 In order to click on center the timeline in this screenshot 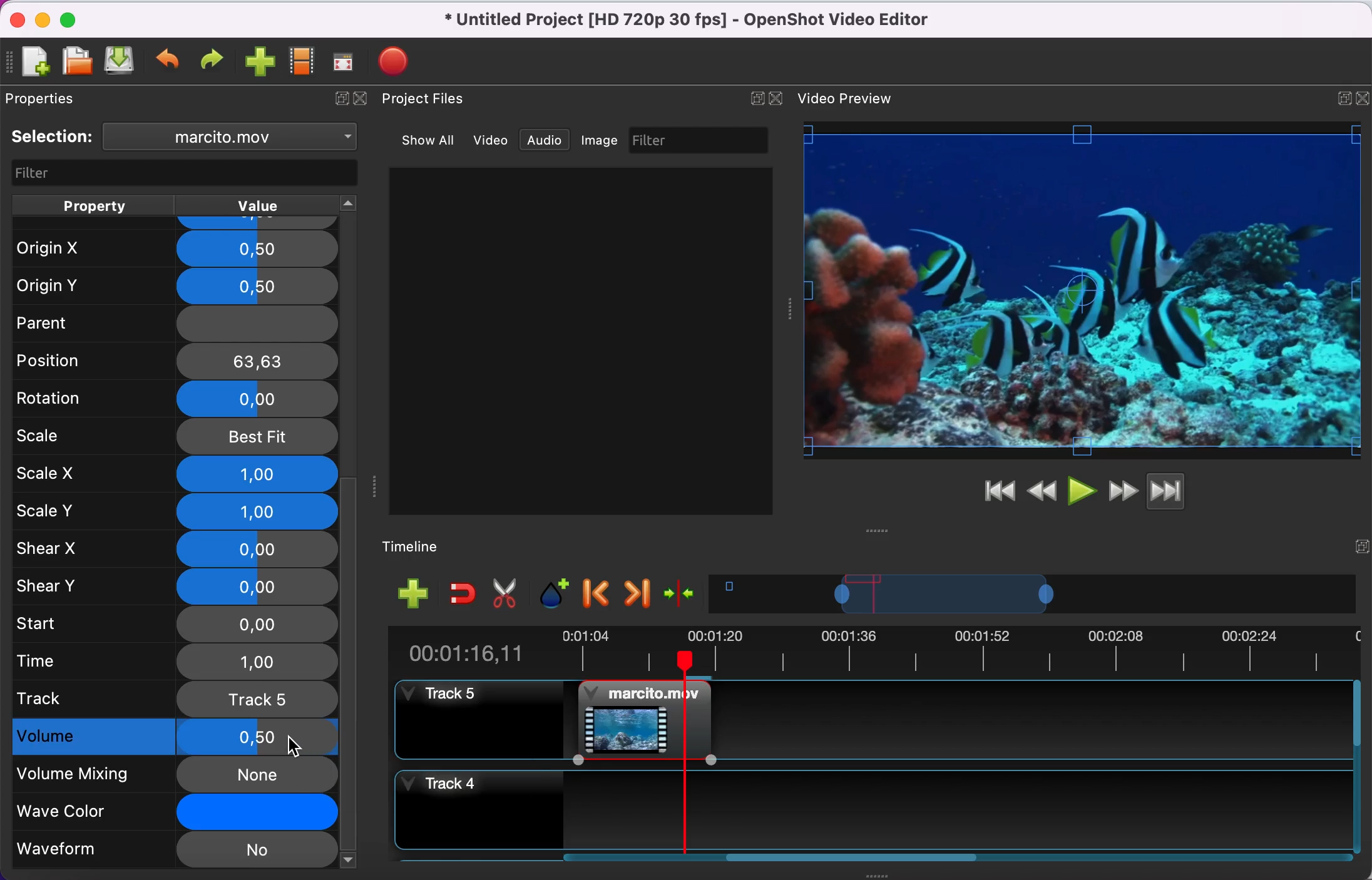, I will do `click(683, 596)`.